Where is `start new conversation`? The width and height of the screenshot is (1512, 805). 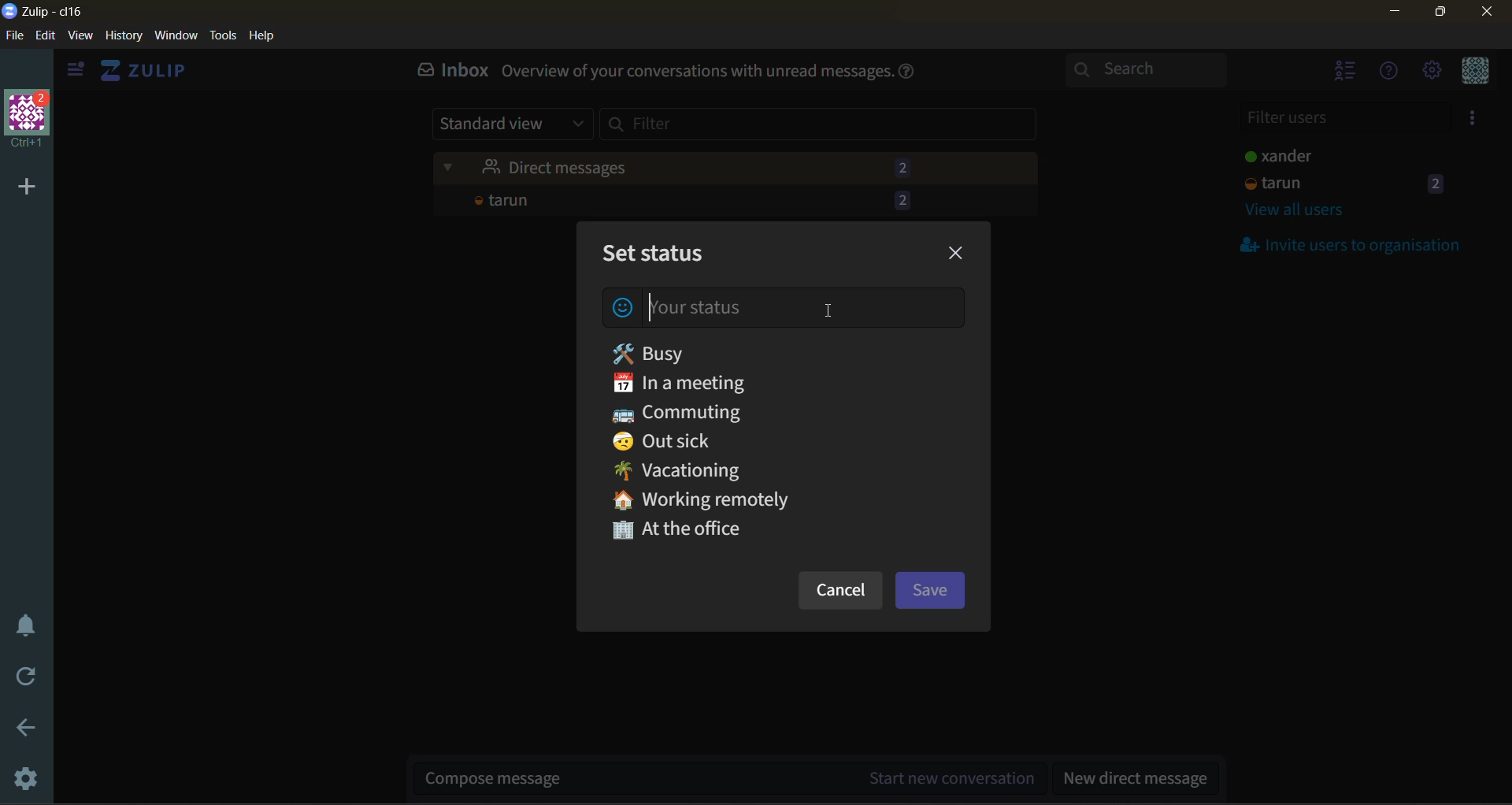
start new conversation is located at coordinates (732, 774).